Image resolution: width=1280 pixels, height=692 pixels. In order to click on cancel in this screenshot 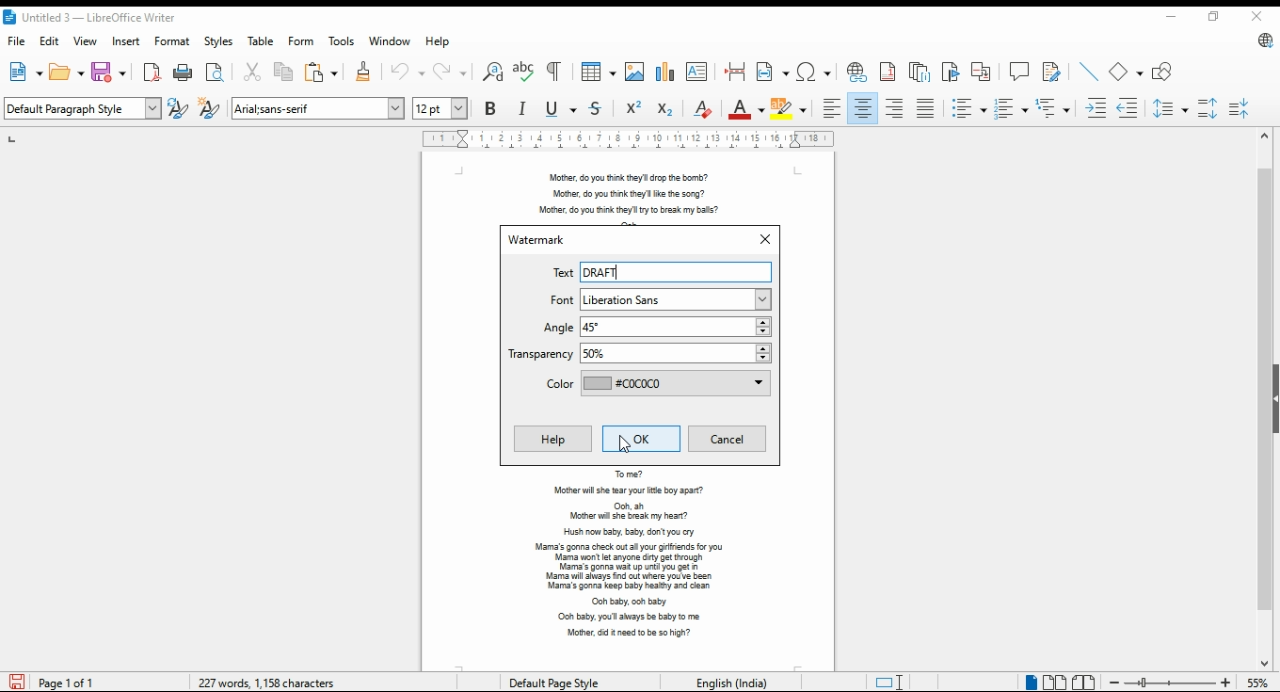, I will do `click(728, 438)`.